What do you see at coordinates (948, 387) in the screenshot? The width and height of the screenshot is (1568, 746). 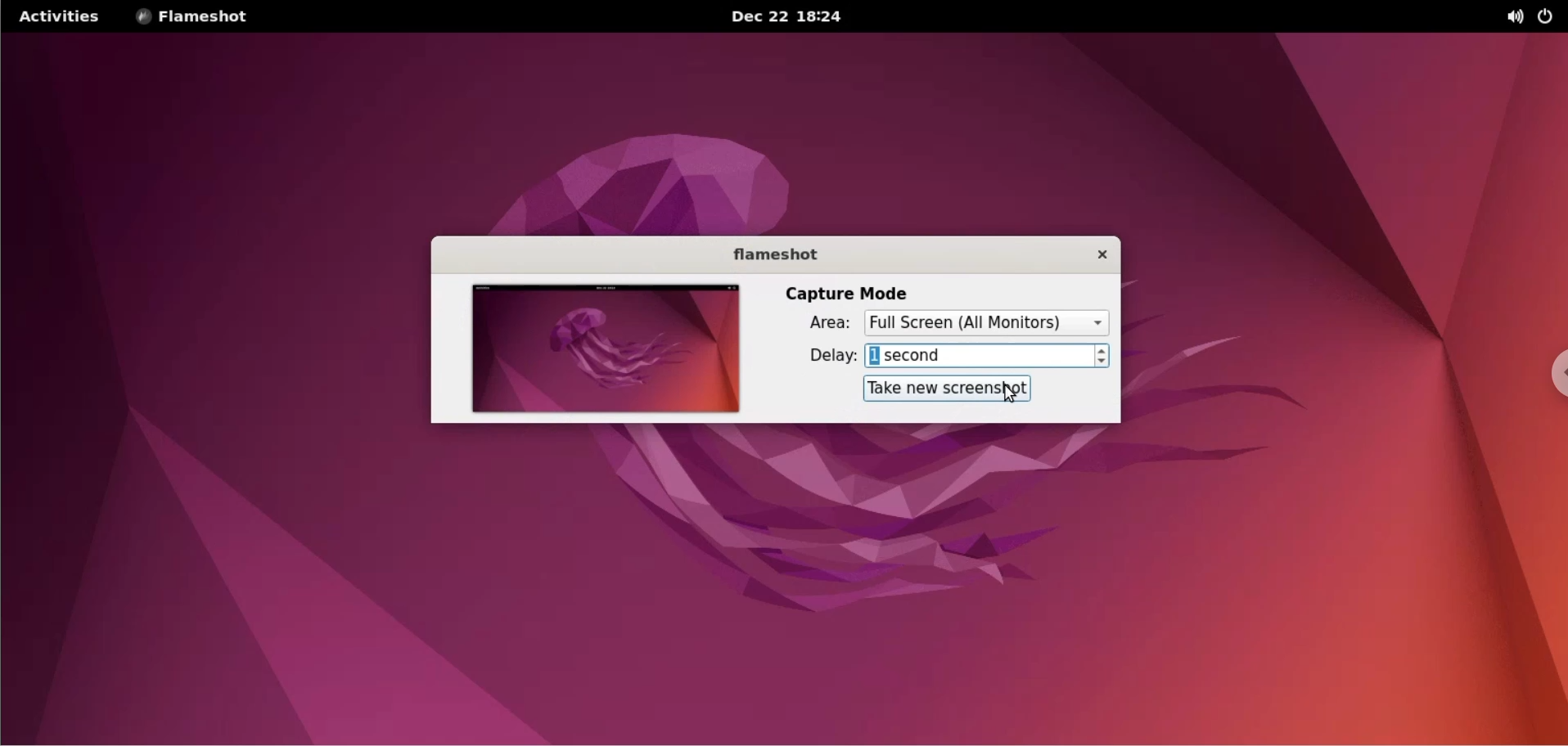 I see `take new screenshot` at bounding box center [948, 387].